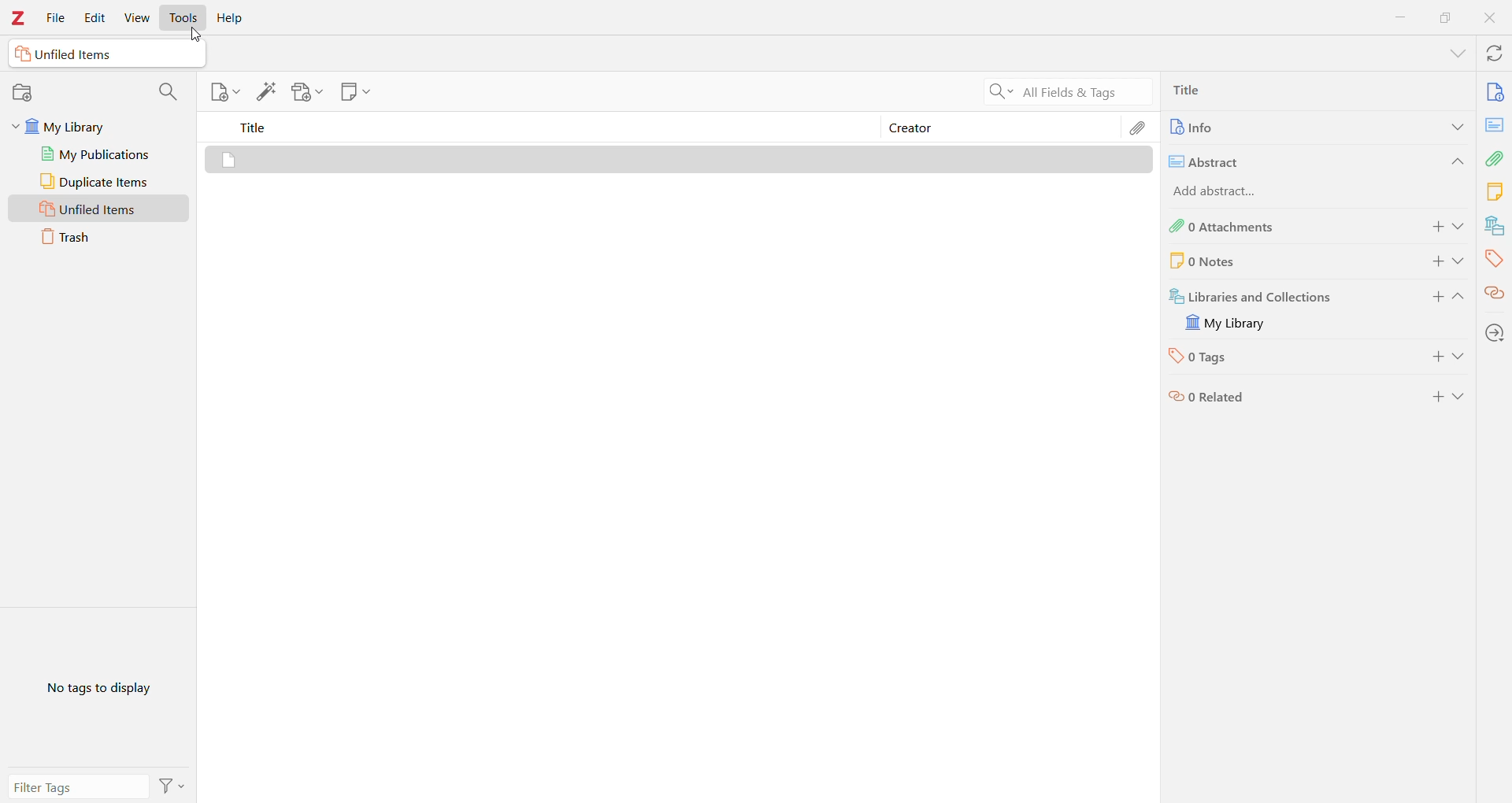 Image resolution: width=1512 pixels, height=803 pixels. What do you see at coordinates (1436, 295) in the screenshot?
I see `Add` at bounding box center [1436, 295].